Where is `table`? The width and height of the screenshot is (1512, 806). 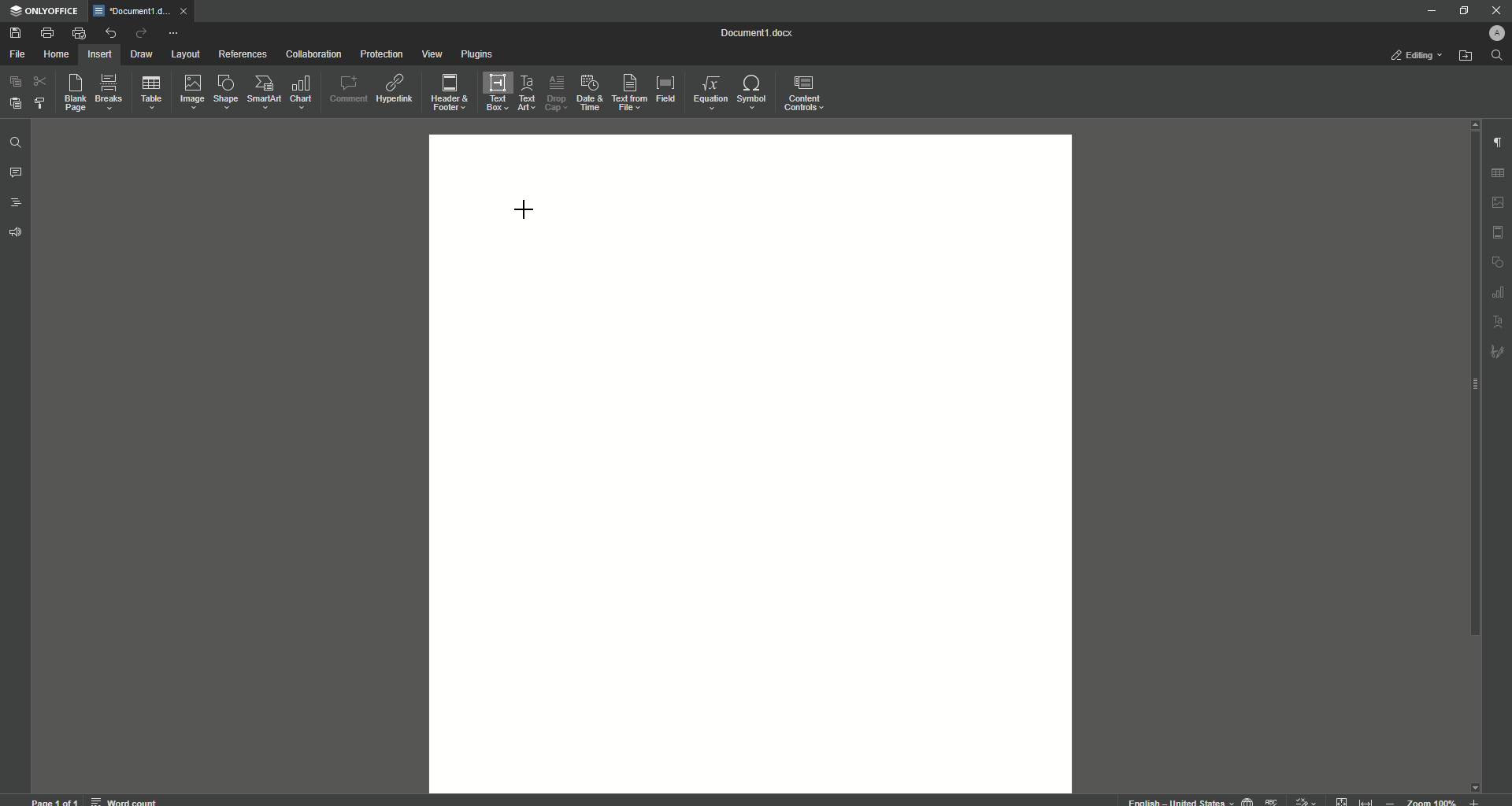
table is located at coordinates (1496, 293).